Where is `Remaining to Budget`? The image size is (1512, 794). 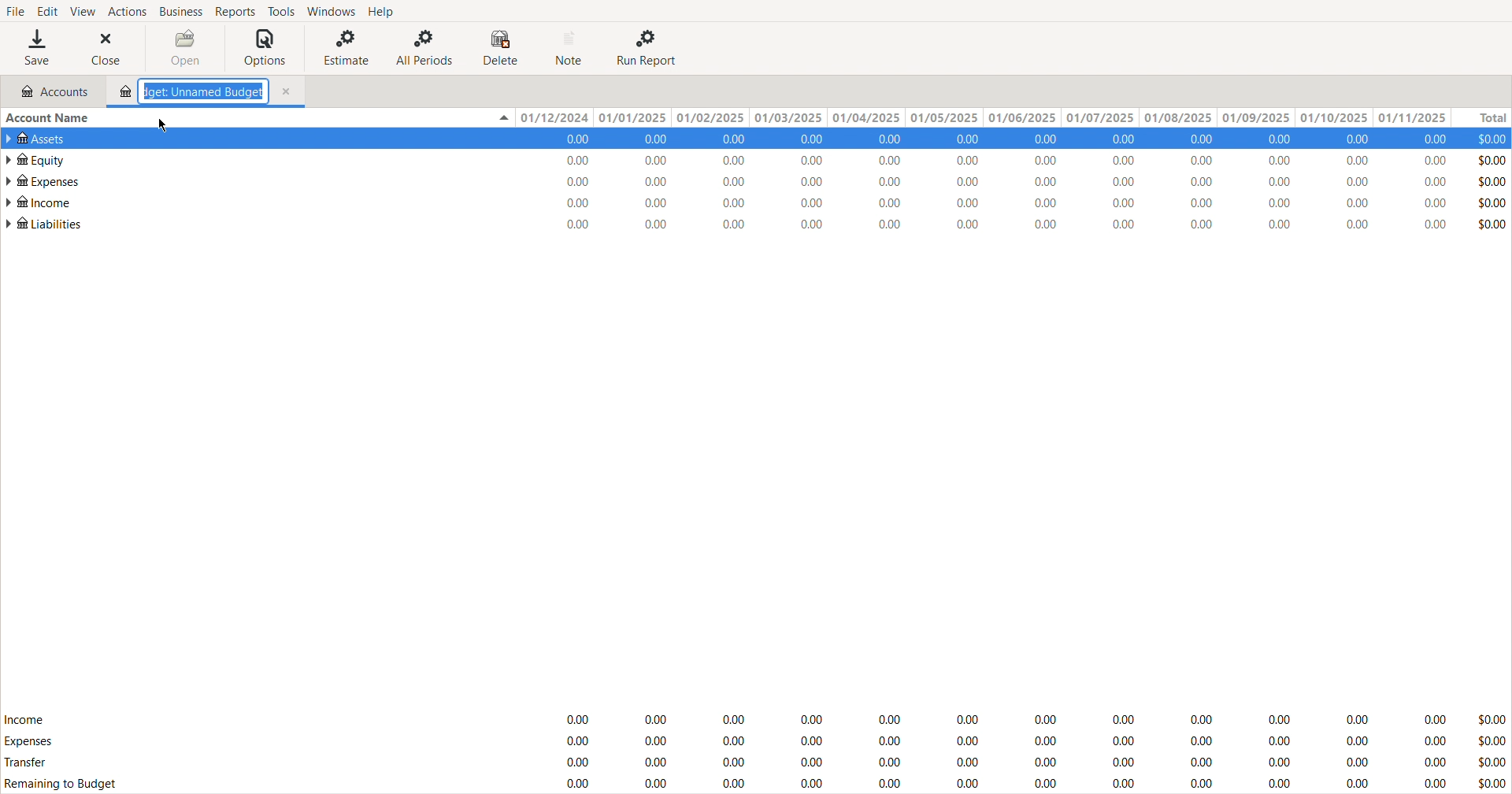 Remaining to Budget is located at coordinates (63, 785).